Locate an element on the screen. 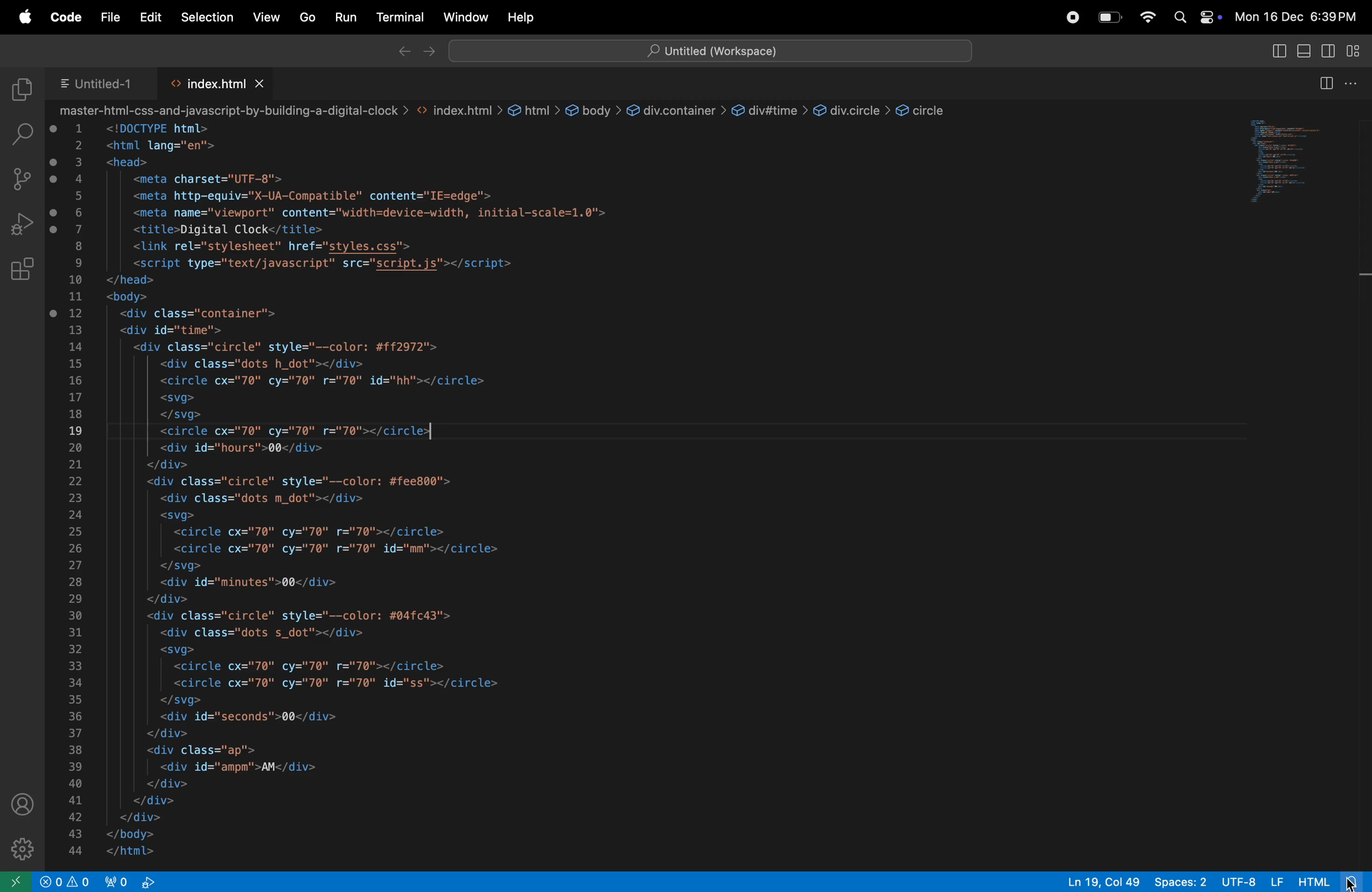 This screenshot has width=1372, height=892. index.html is located at coordinates (218, 82).